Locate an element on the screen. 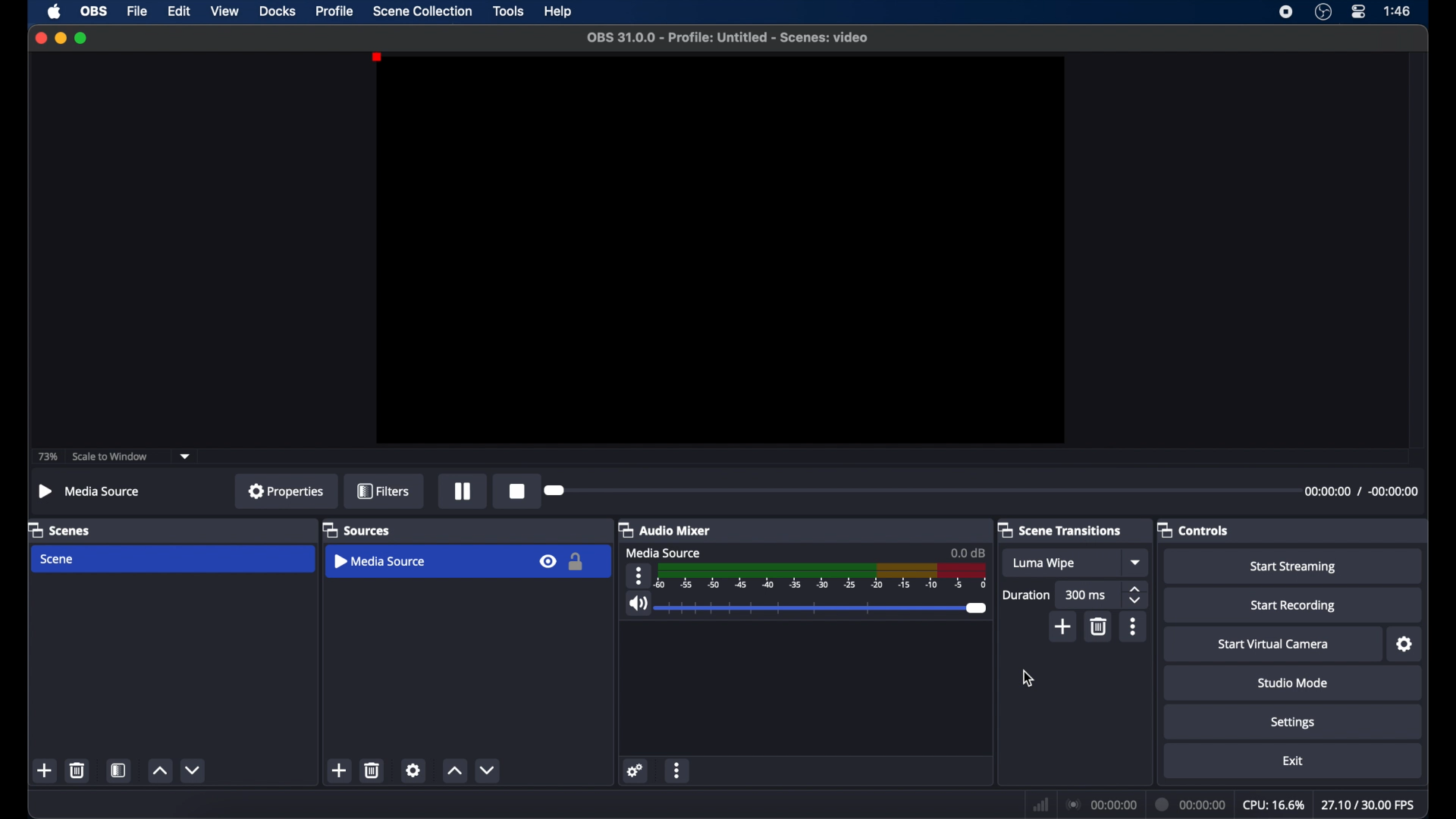  file name is located at coordinates (732, 38).